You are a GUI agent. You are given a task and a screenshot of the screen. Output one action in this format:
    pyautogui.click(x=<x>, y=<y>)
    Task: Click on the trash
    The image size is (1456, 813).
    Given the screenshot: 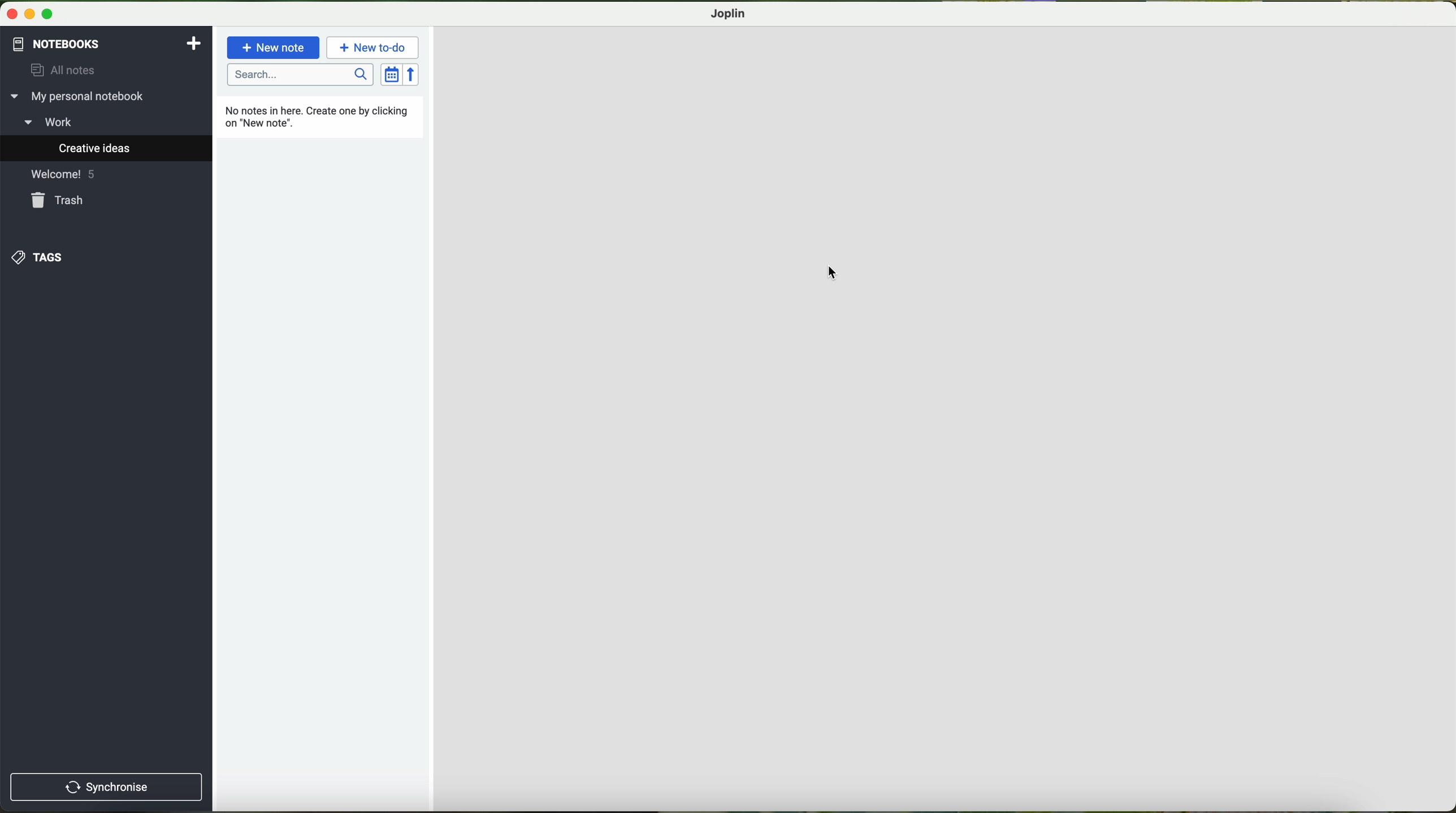 What is the action you would take?
    pyautogui.click(x=60, y=200)
    